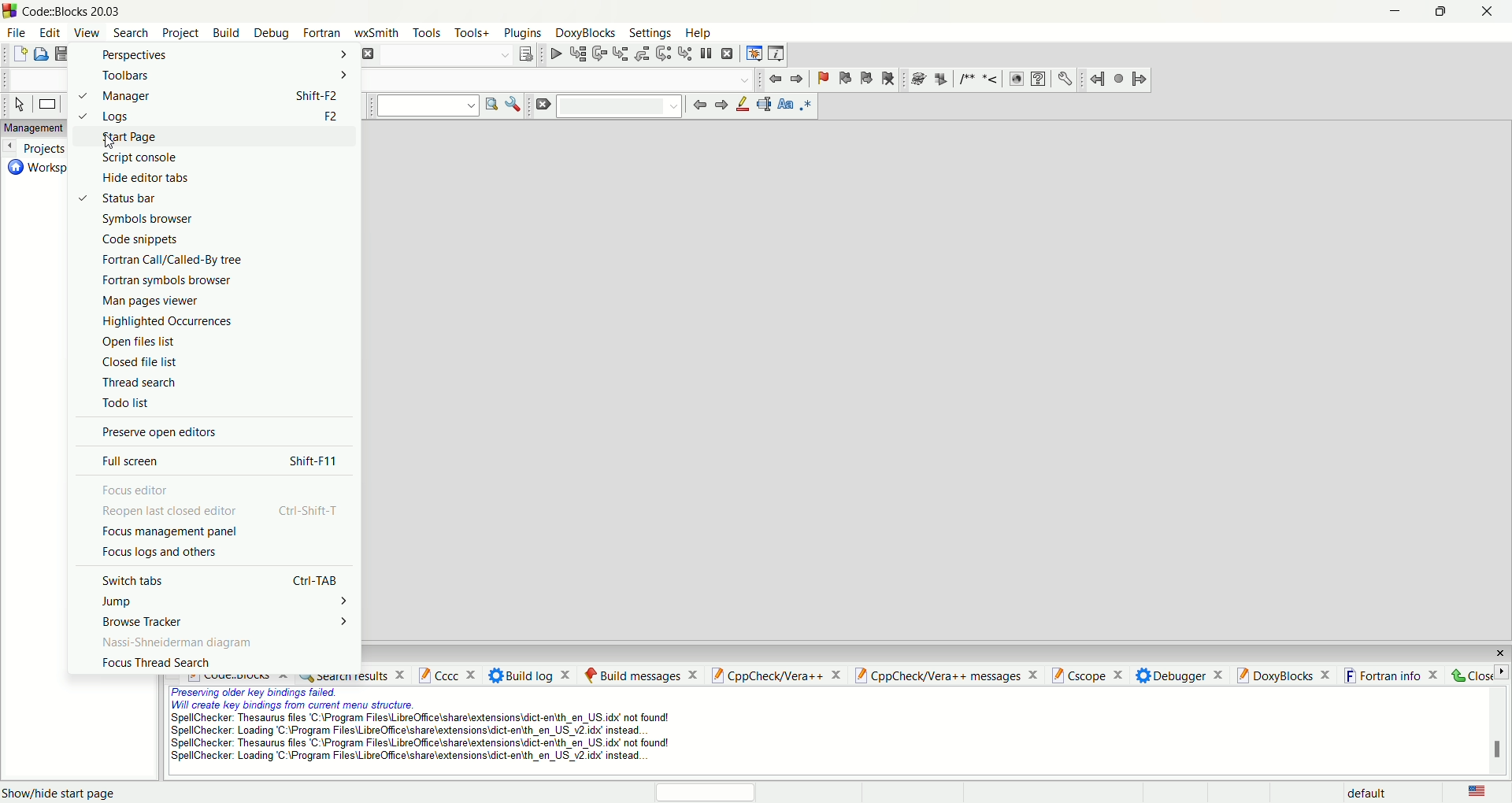 Image resolution: width=1512 pixels, height=803 pixels. Describe the element at coordinates (75, 13) in the screenshot. I see `code::block 20.03` at that location.